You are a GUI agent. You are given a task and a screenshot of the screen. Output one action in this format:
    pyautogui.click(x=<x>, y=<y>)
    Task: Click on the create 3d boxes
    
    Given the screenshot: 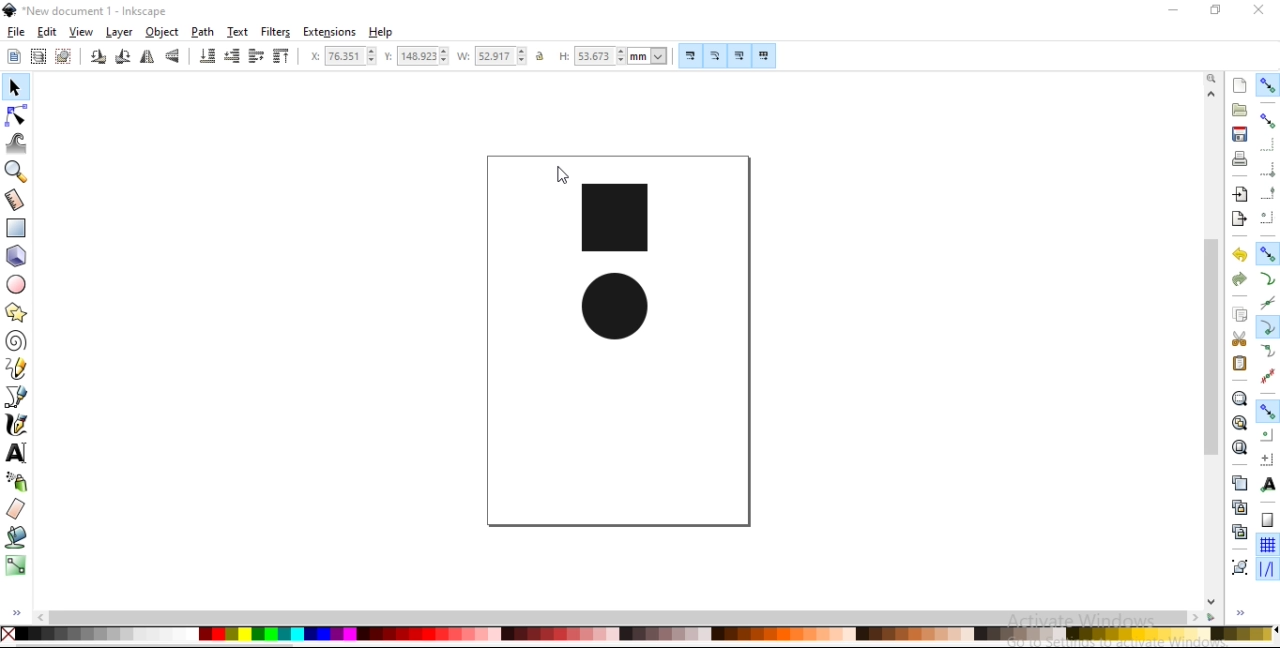 What is the action you would take?
    pyautogui.click(x=18, y=257)
    